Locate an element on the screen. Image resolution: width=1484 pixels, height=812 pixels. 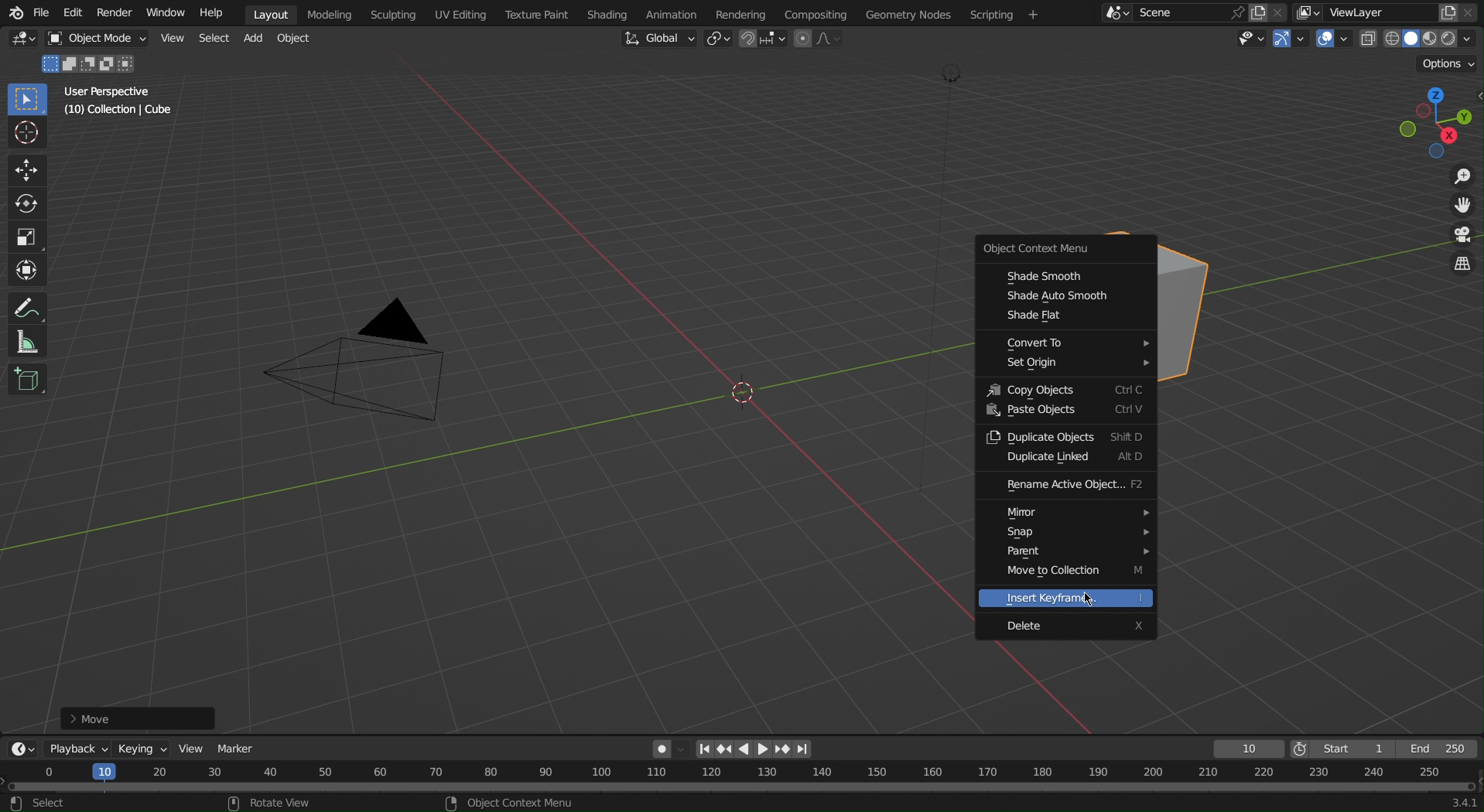
Timeline is located at coordinates (743, 787).